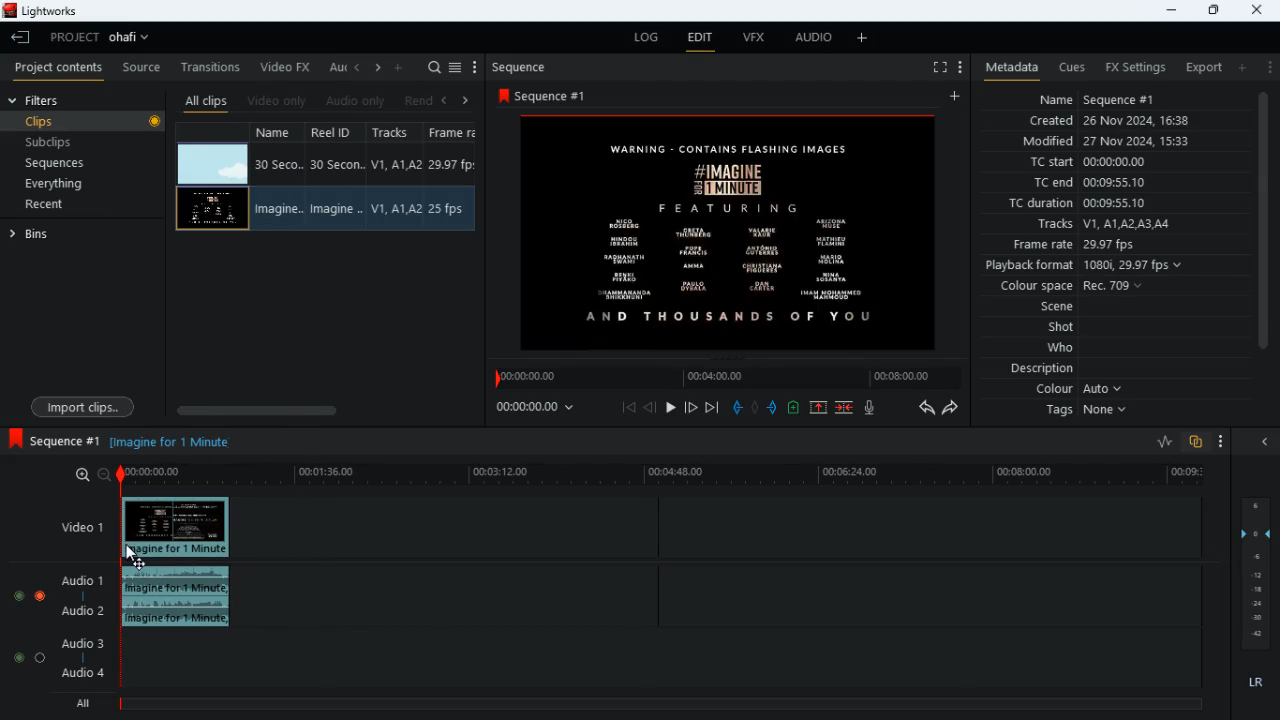 This screenshot has height=720, width=1280. Describe the element at coordinates (106, 37) in the screenshot. I see `project` at that location.